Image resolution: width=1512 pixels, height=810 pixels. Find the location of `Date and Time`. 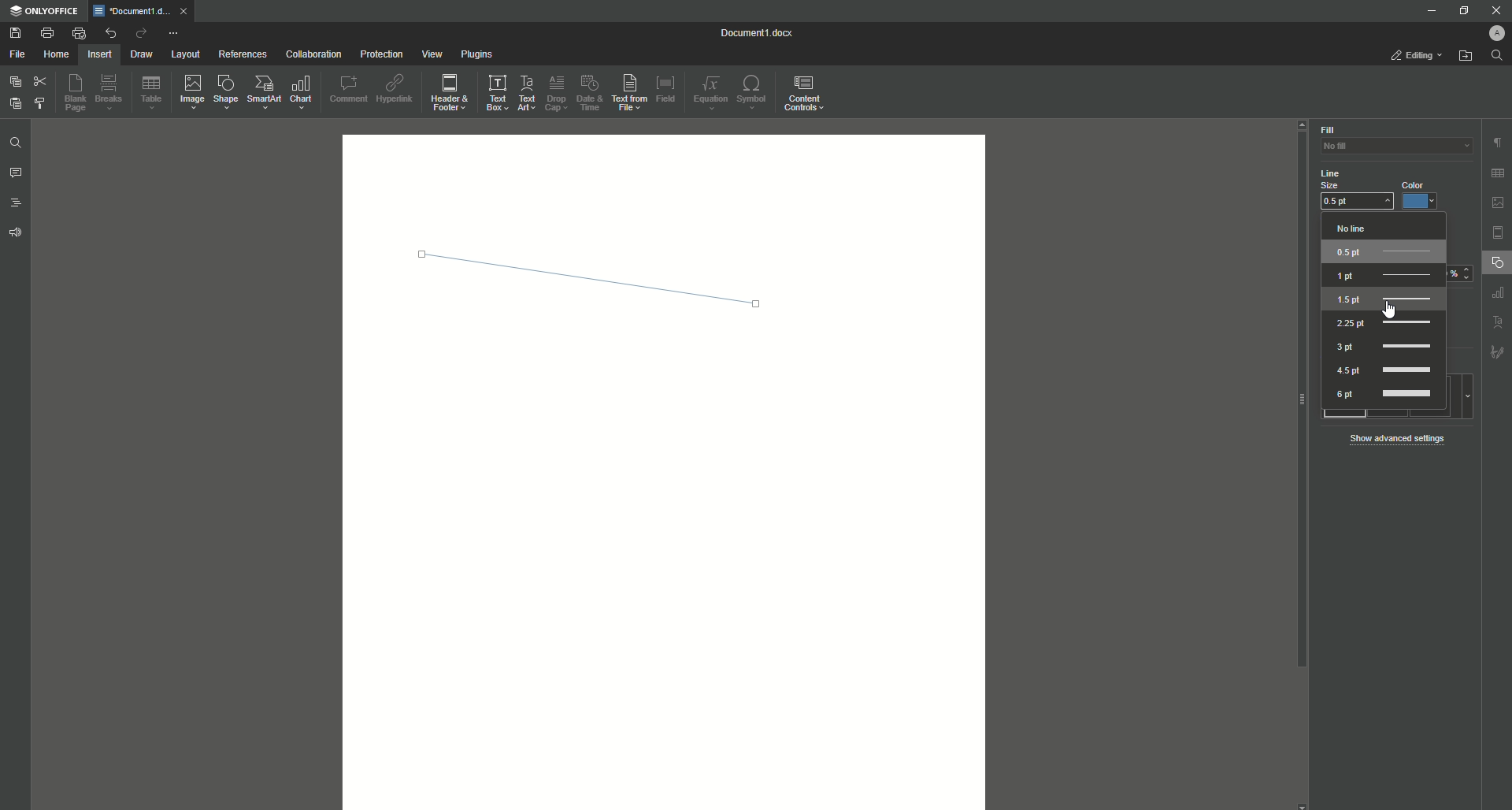

Date and Time is located at coordinates (596, 93).